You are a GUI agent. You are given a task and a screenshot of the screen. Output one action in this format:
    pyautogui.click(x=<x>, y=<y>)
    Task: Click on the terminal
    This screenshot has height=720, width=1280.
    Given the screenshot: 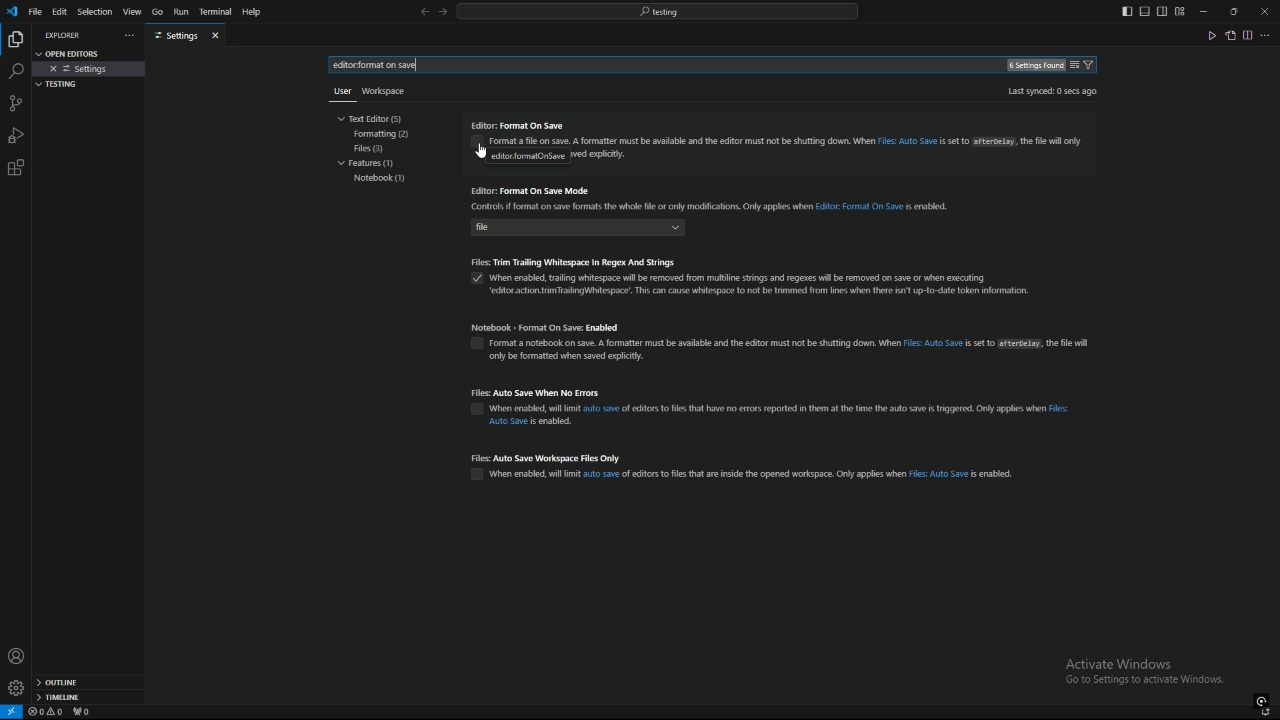 What is the action you would take?
    pyautogui.click(x=216, y=13)
    